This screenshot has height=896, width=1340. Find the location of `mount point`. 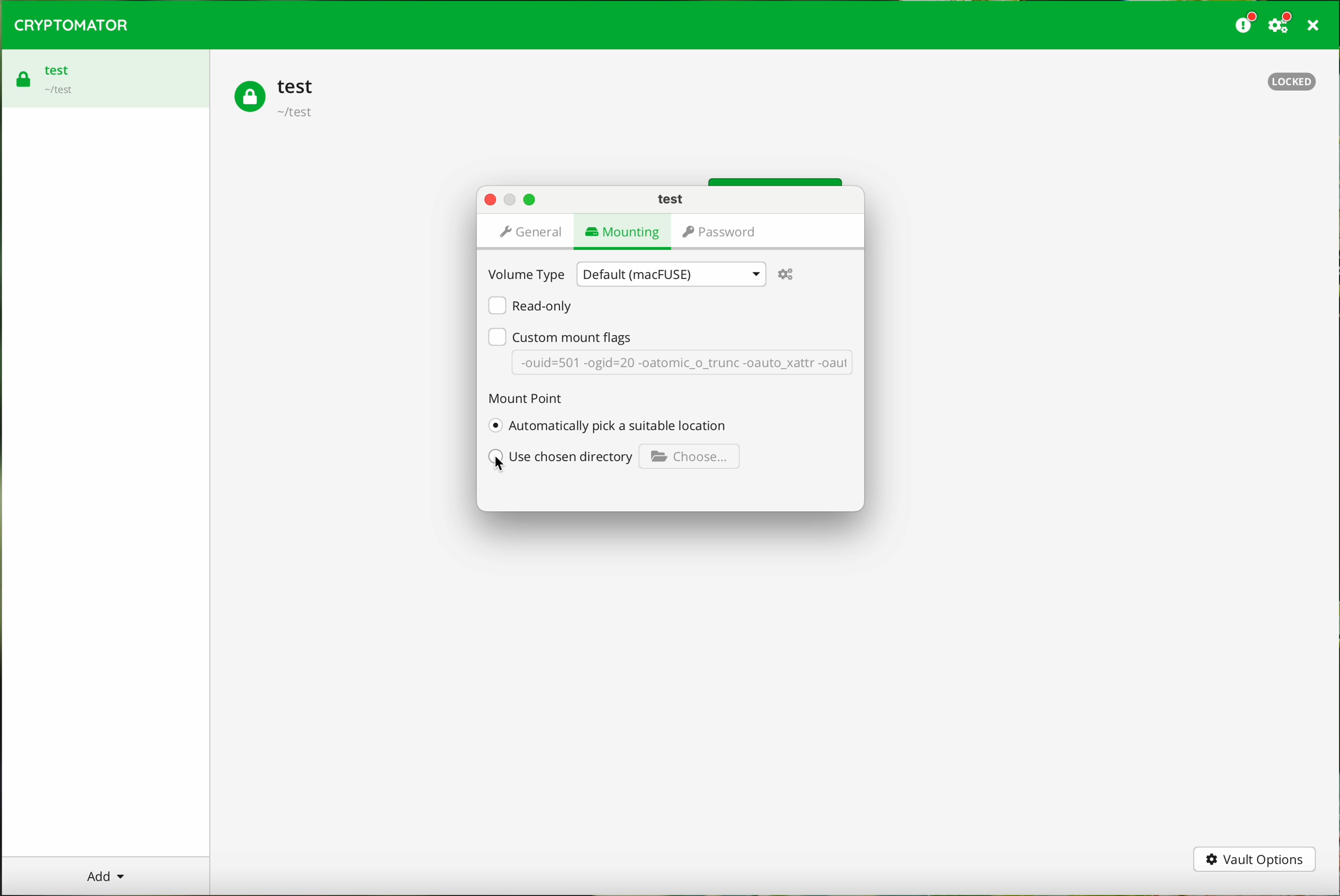

mount point is located at coordinates (527, 396).